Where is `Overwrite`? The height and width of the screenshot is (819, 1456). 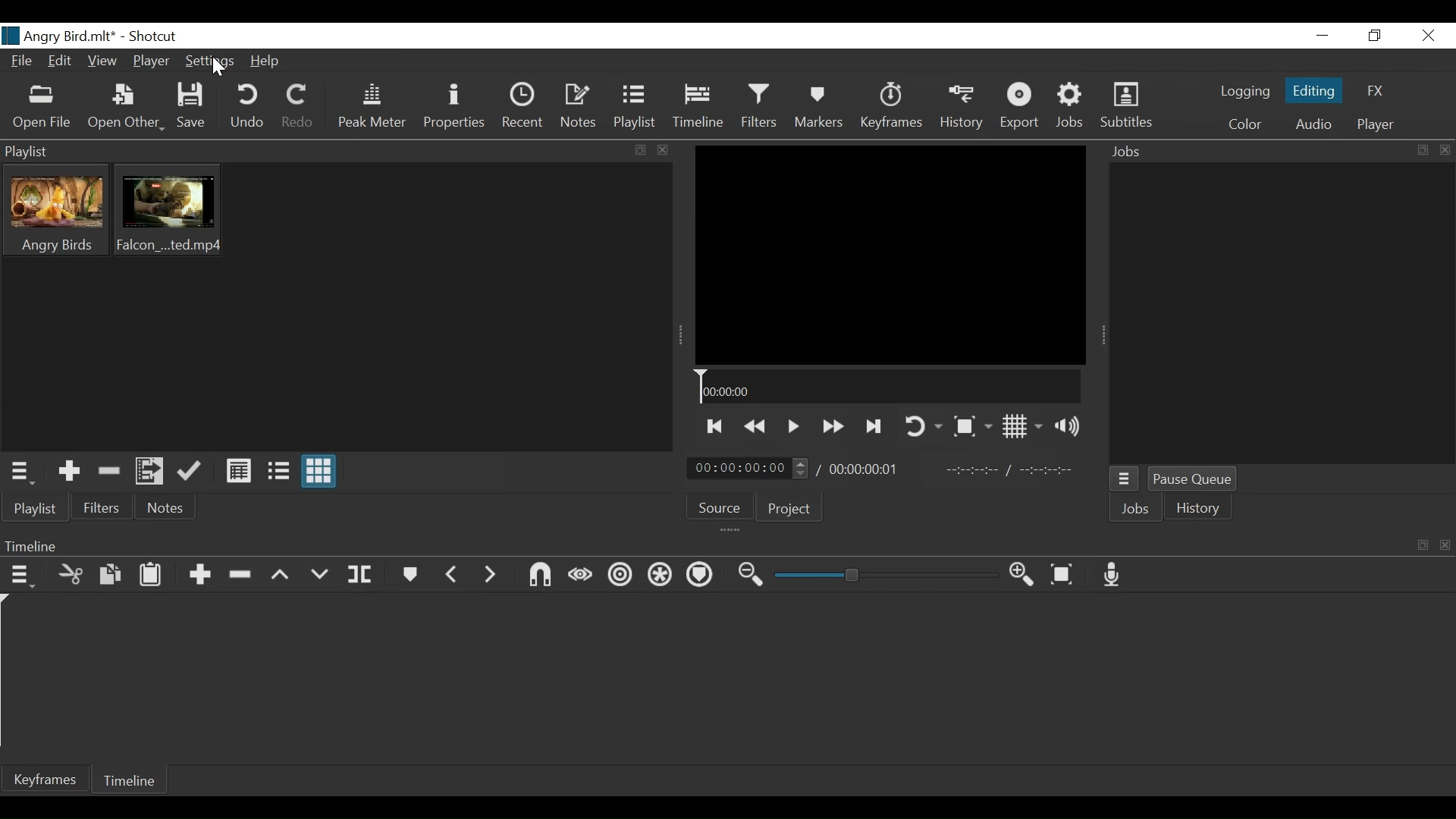
Overwrite is located at coordinates (321, 576).